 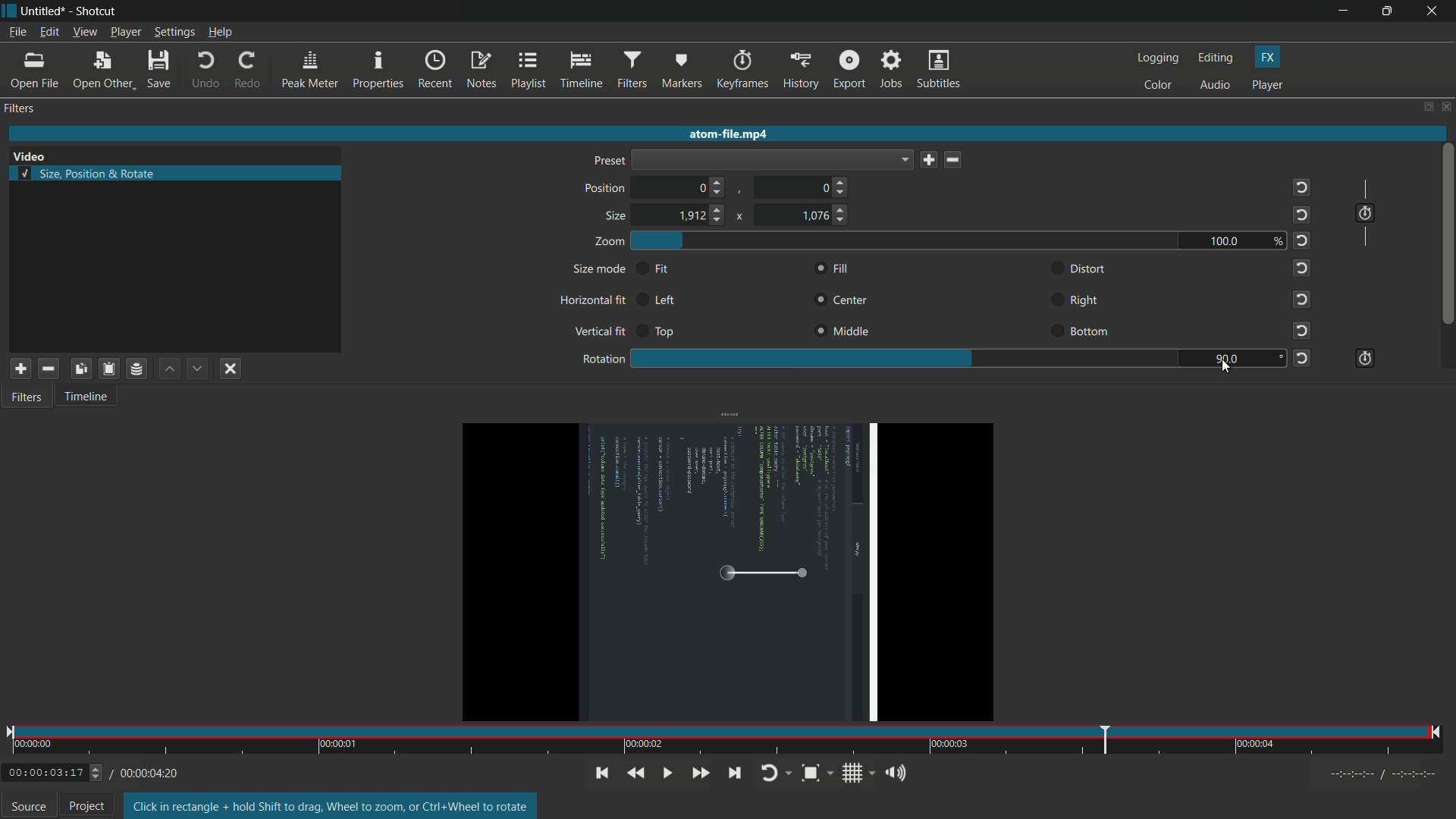 What do you see at coordinates (47, 34) in the screenshot?
I see `edit menu` at bounding box center [47, 34].